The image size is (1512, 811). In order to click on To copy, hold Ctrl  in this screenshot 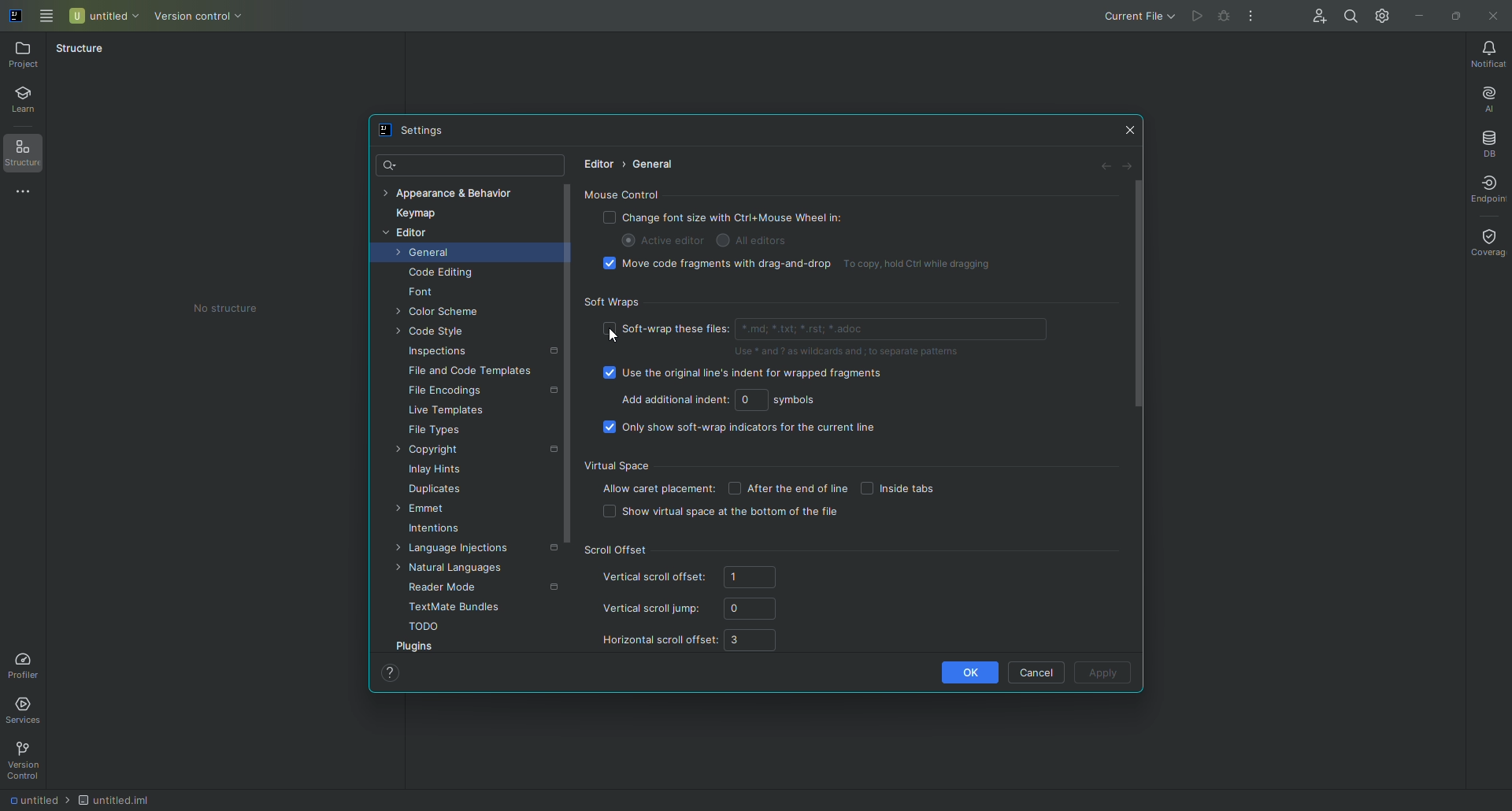, I will do `click(926, 265)`.